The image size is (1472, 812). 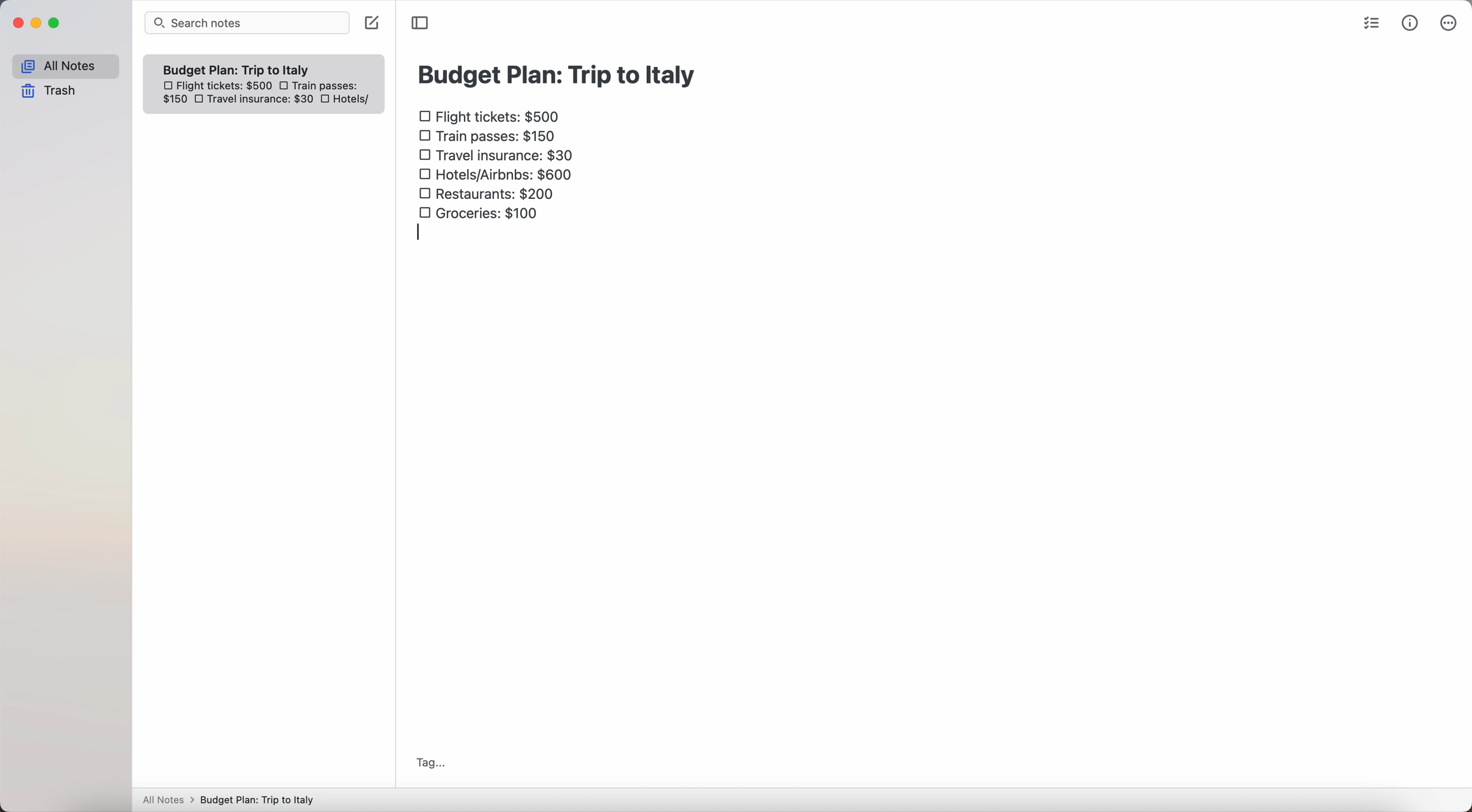 I want to click on Budget plan trip to Italy note, so click(x=238, y=69).